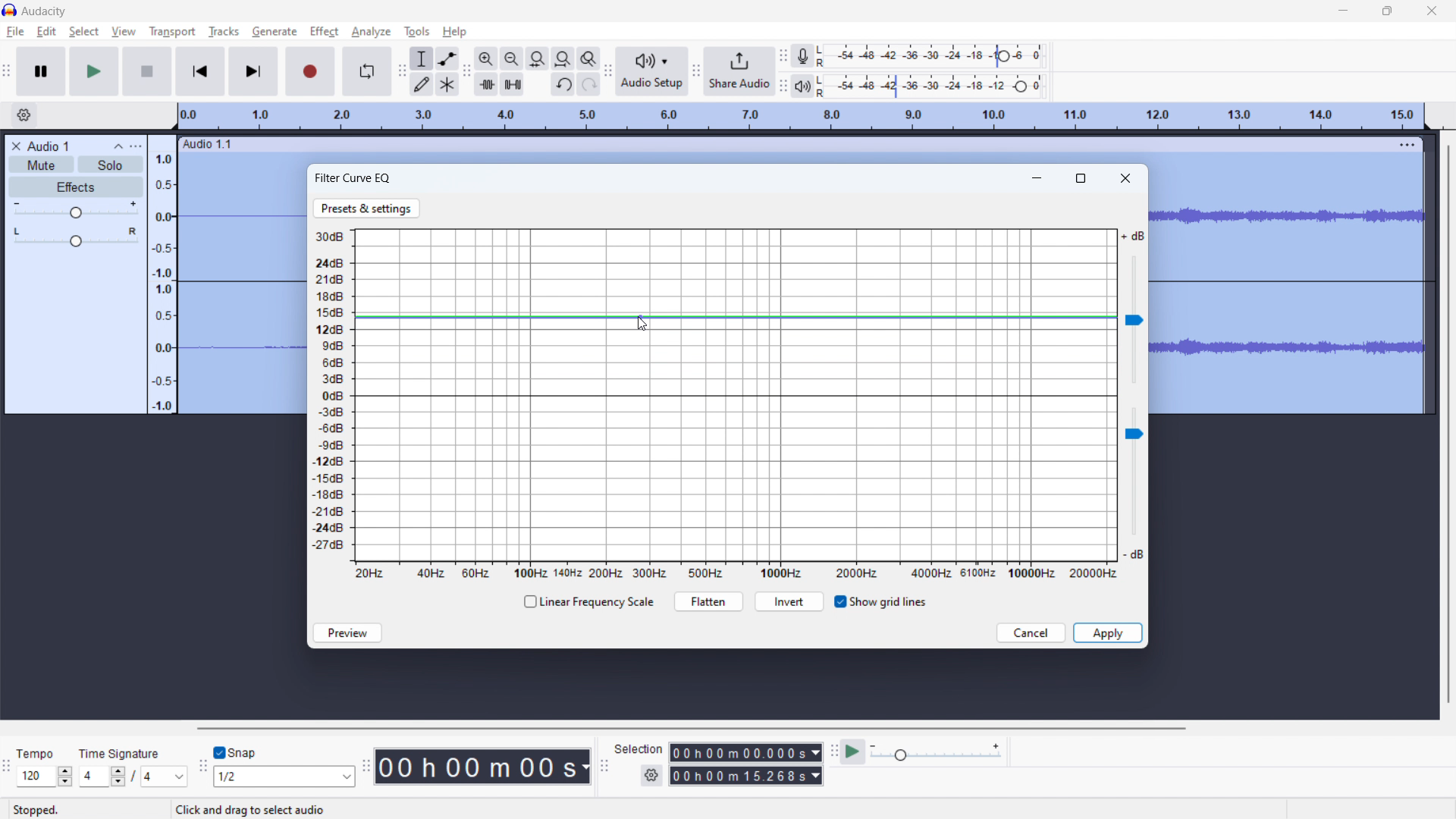 The image size is (1456, 819). Describe the element at coordinates (485, 766) in the screenshot. I see `00h 00 m 00 s (timestamp)` at that location.